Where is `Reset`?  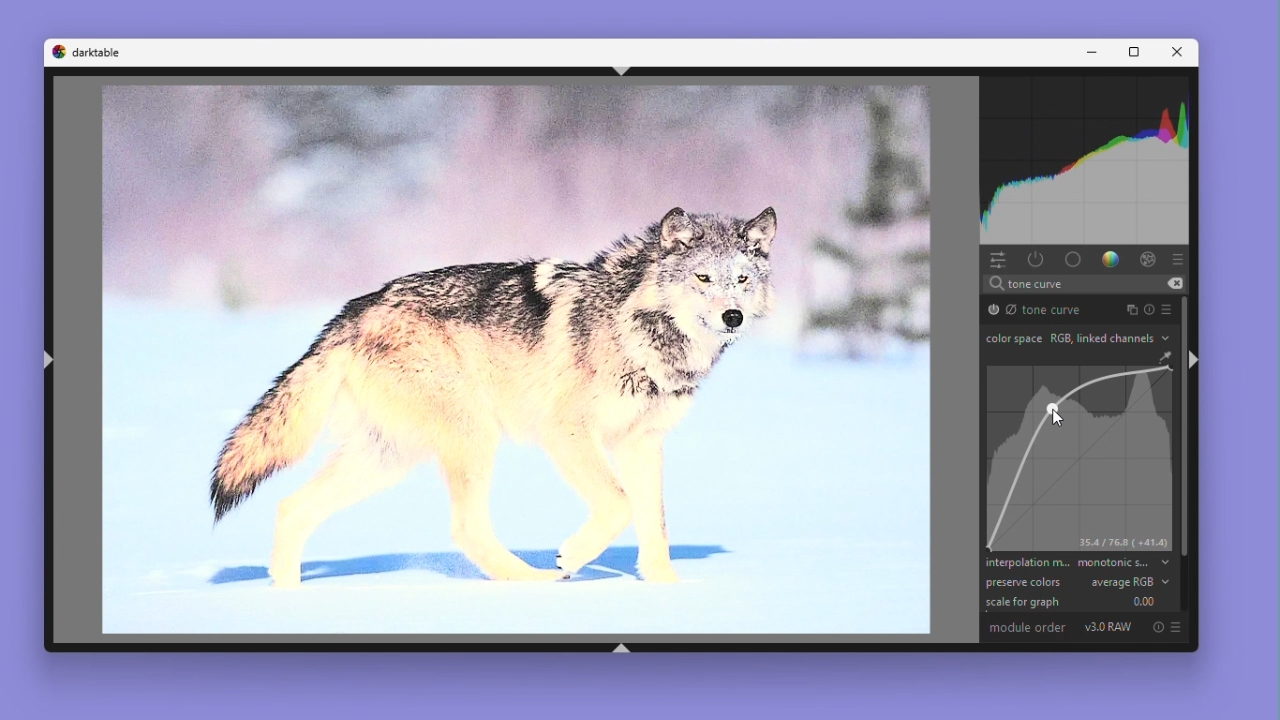 Reset is located at coordinates (1156, 627).